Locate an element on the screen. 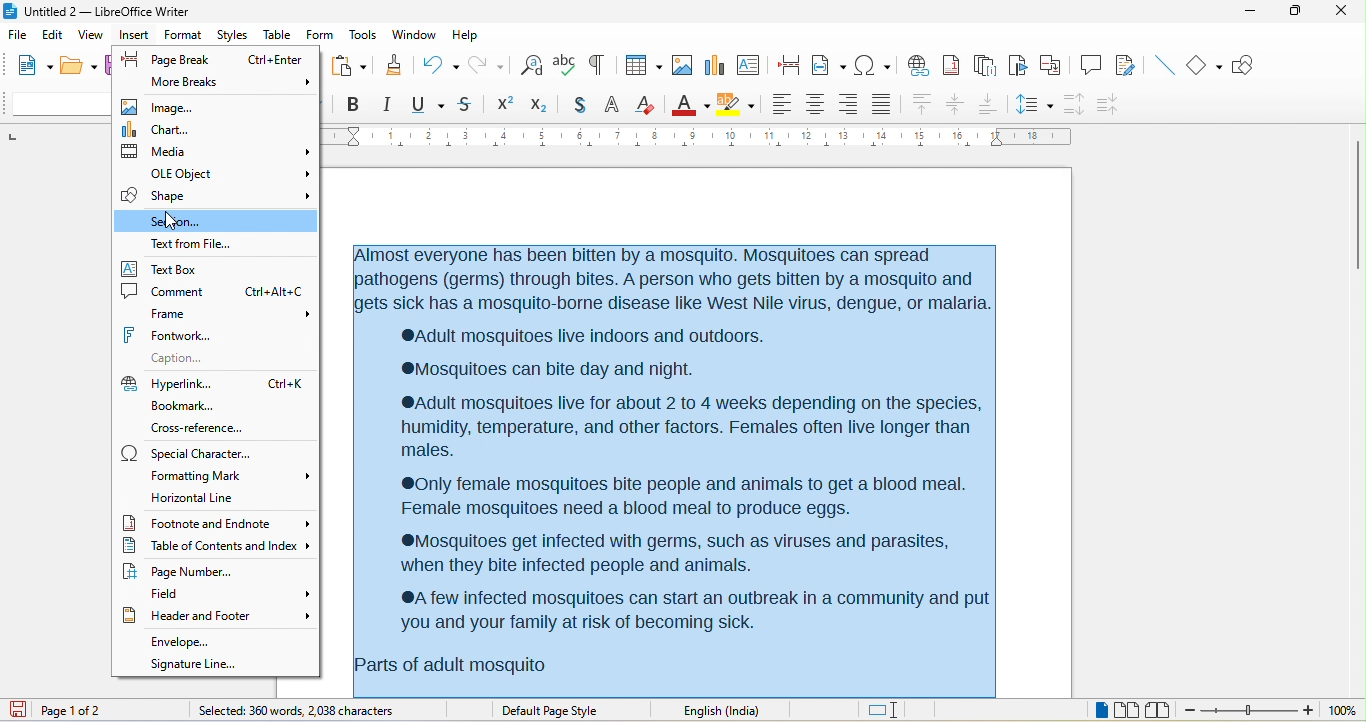 This screenshot has height=722, width=1366. zoom is located at coordinates (1248, 711).